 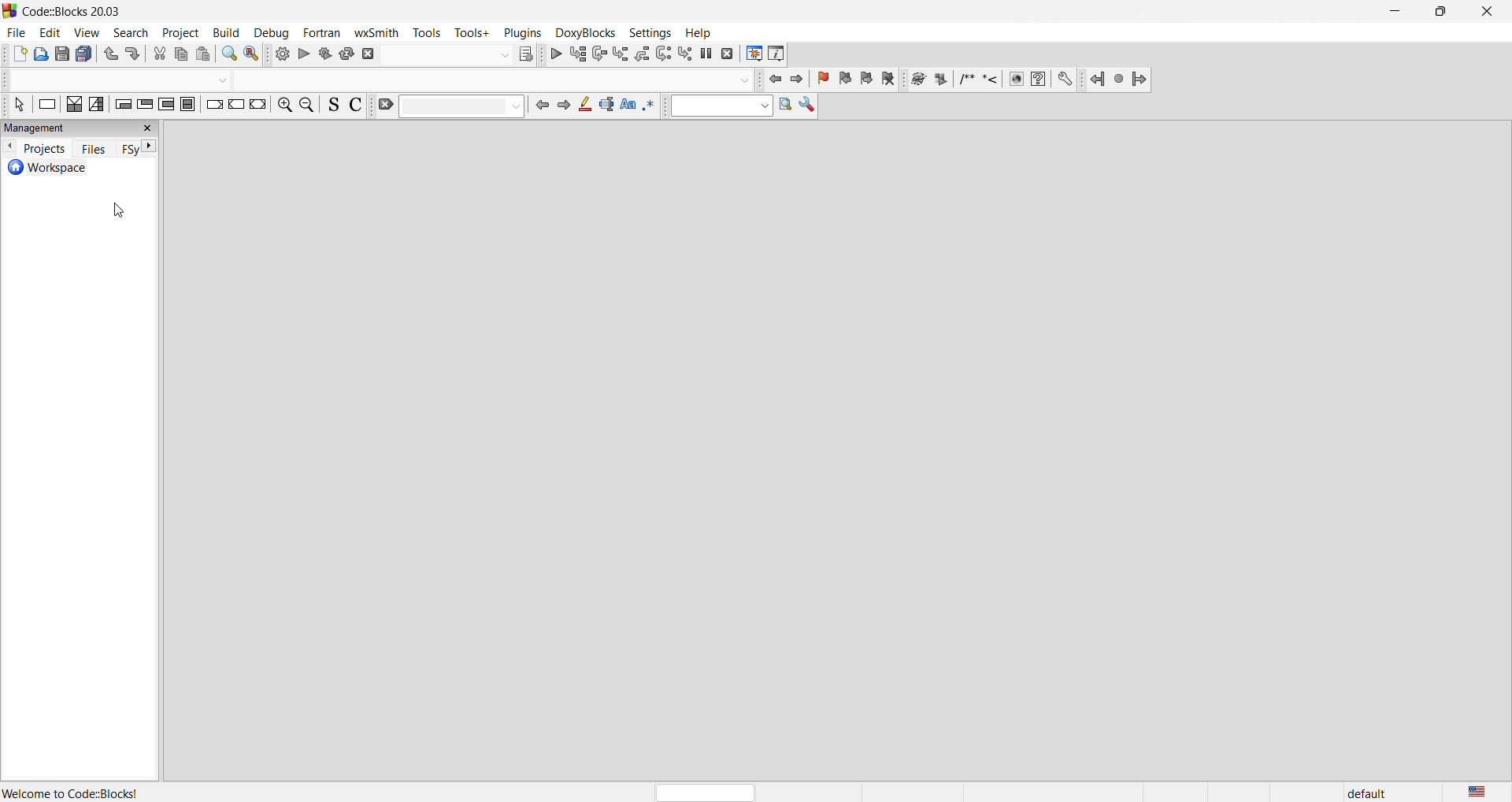 I want to click on tools+, so click(x=473, y=33).